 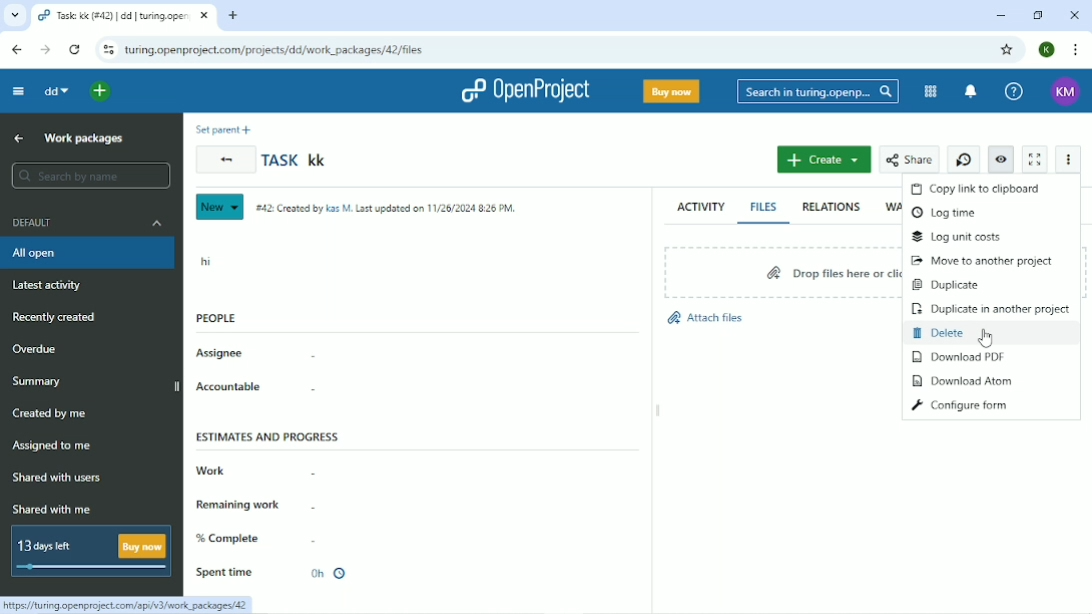 What do you see at coordinates (254, 472) in the screenshot?
I see `Work` at bounding box center [254, 472].